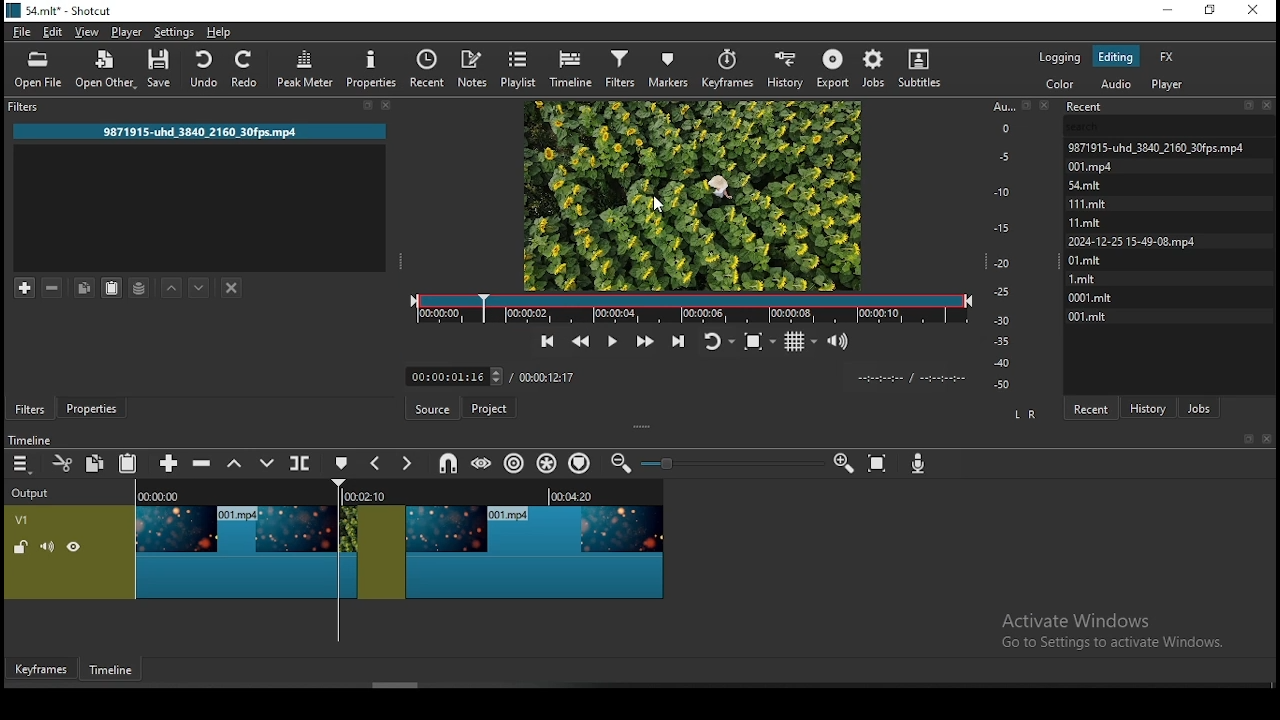 This screenshot has height=720, width=1280. I want to click on move filter down, so click(199, 286).